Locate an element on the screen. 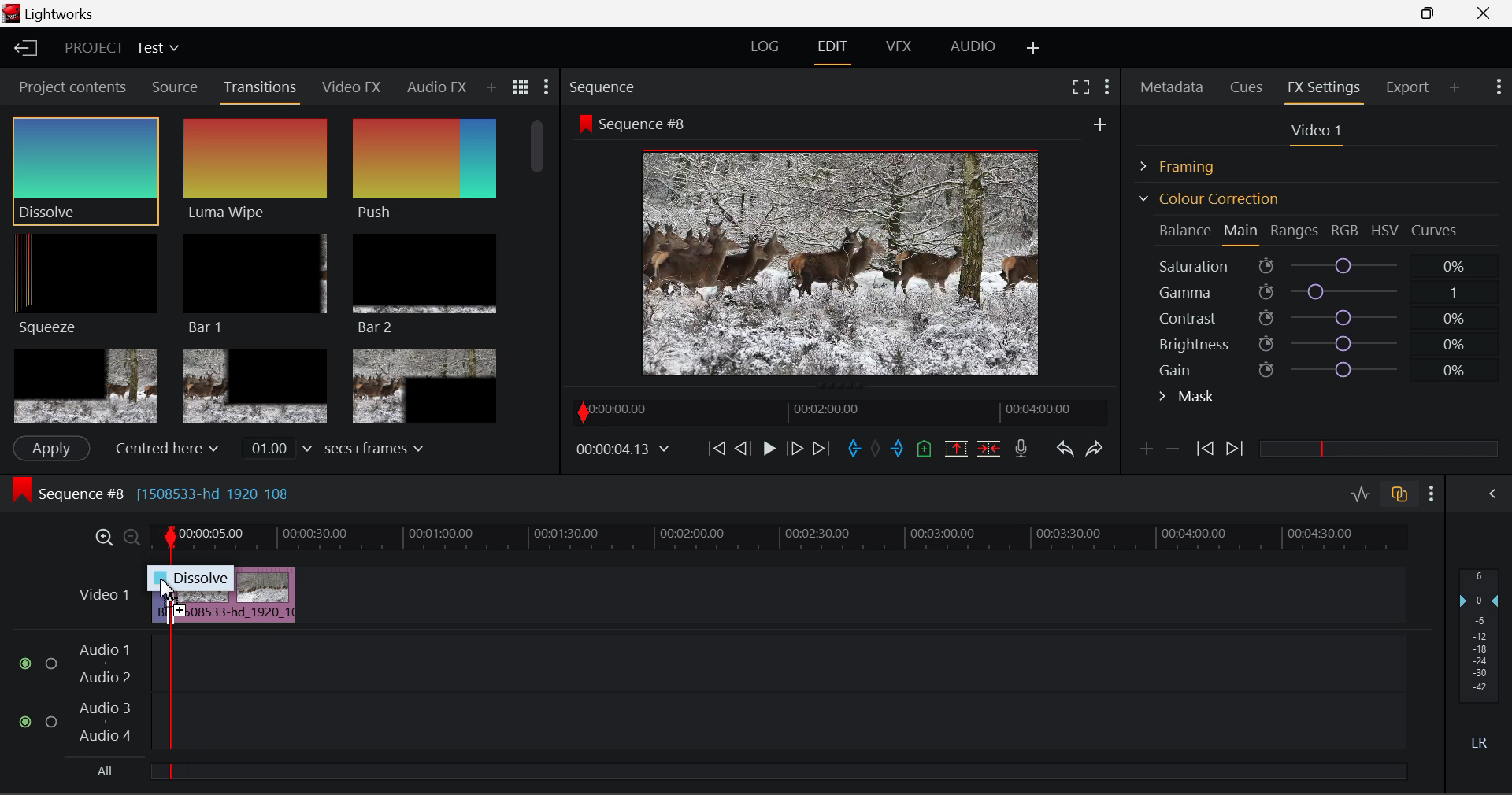  Clip 1 Segment is located at coordinates (160, 596).